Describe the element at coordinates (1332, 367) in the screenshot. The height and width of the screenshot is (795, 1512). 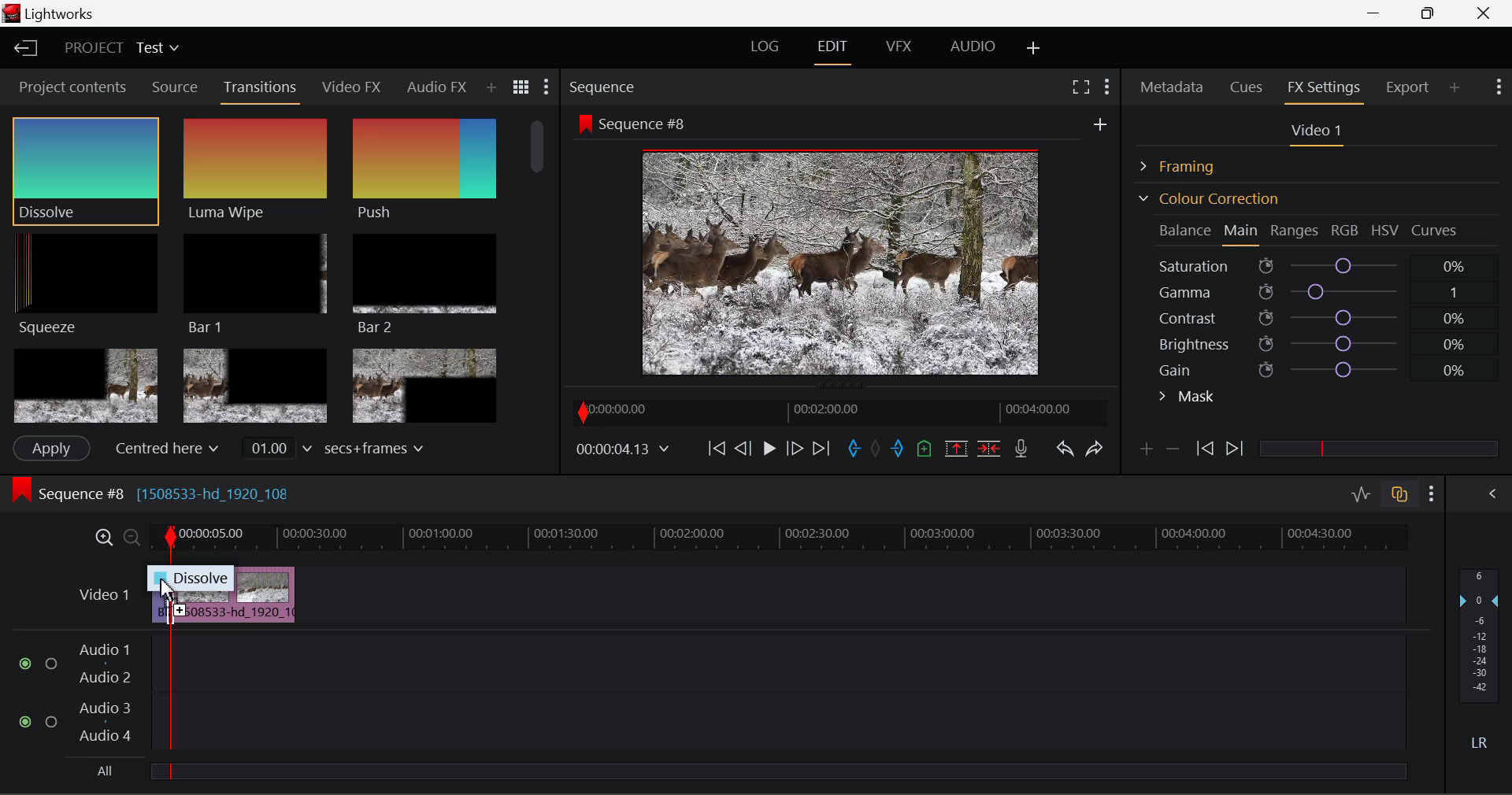
I see `Gain` at that location.